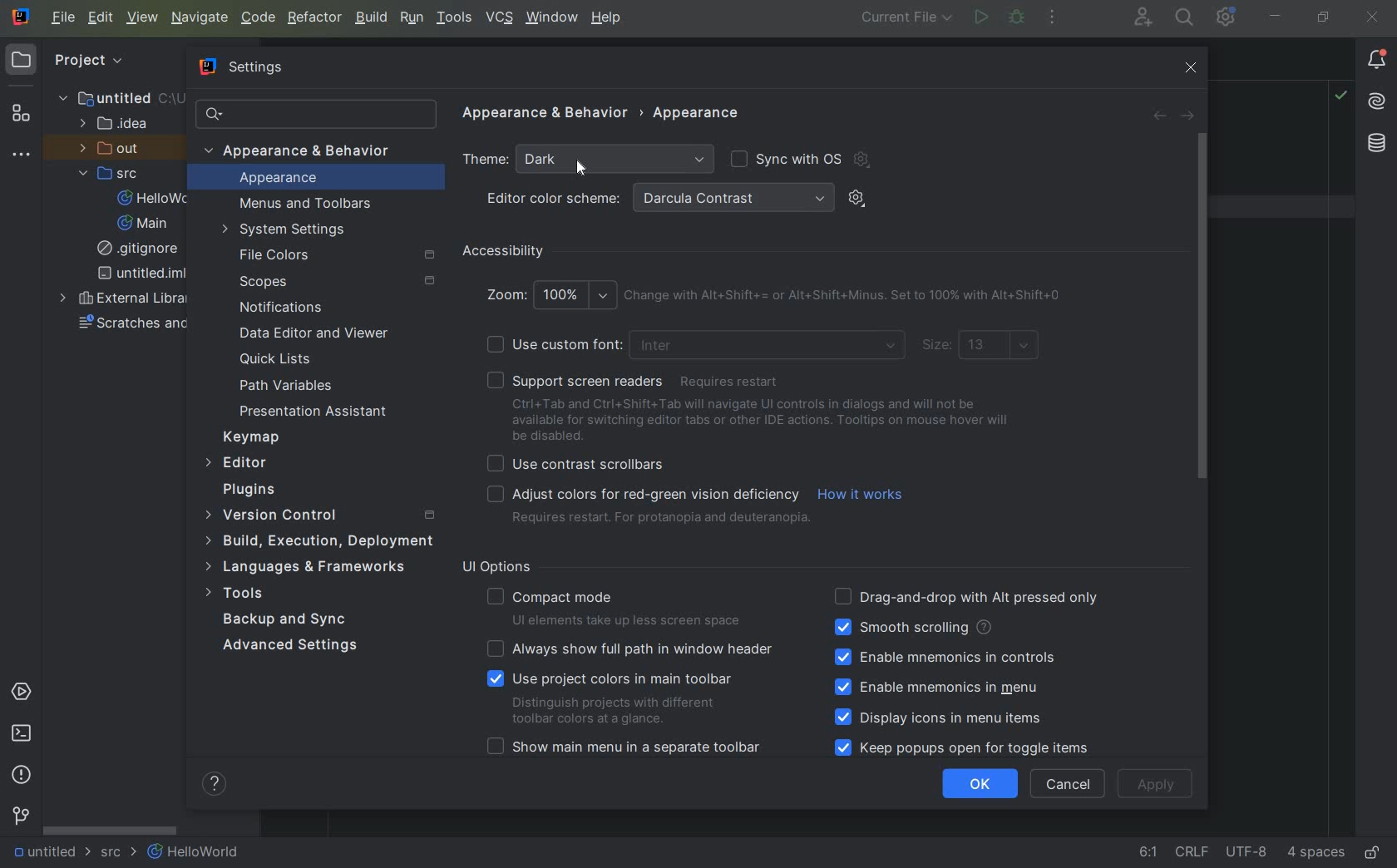 The image size is (1397, 868). I want to click on minimize, so click(1273, 16).